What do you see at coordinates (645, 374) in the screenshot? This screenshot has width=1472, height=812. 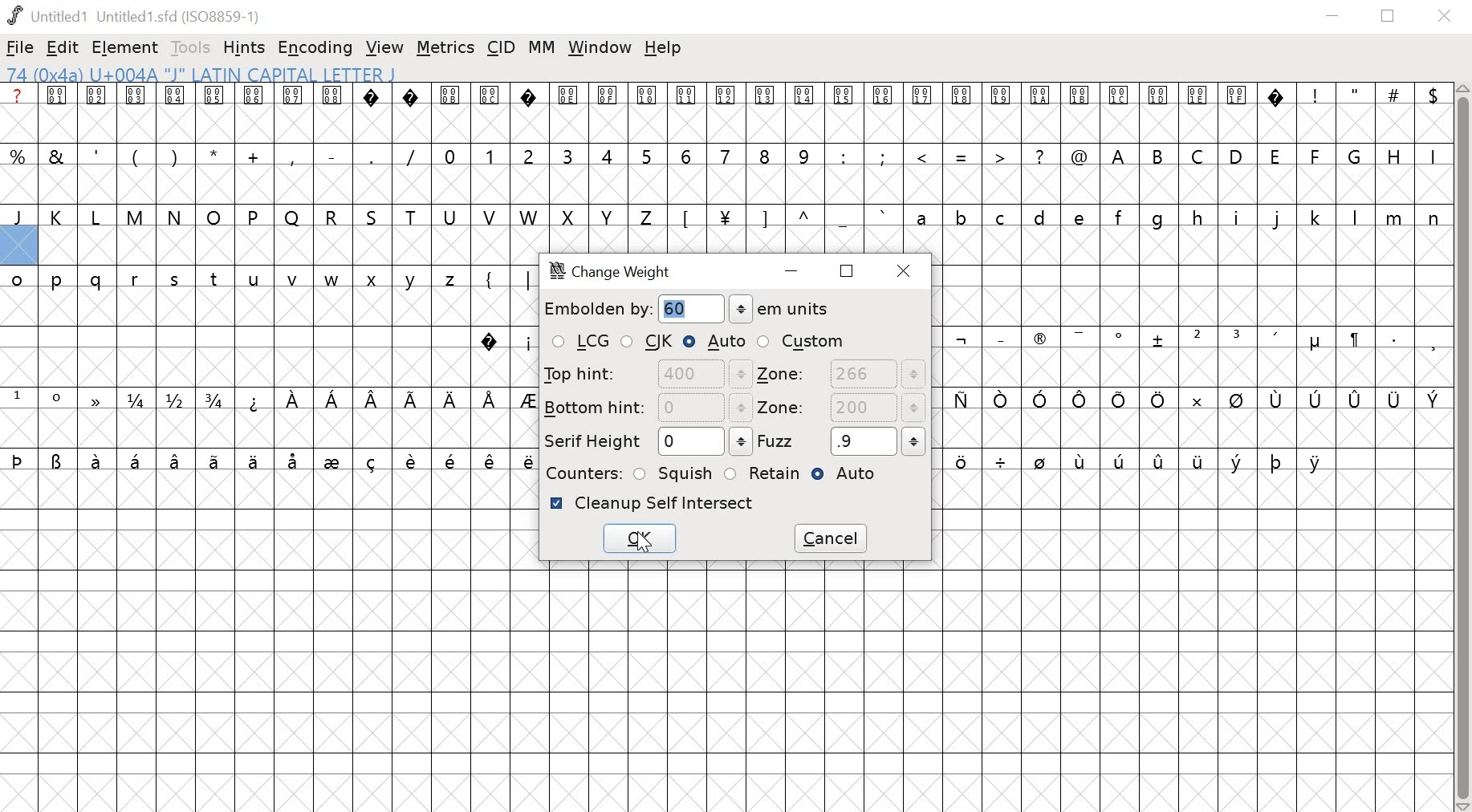 I see `TOP HINT` at bounding box center [645, 374].